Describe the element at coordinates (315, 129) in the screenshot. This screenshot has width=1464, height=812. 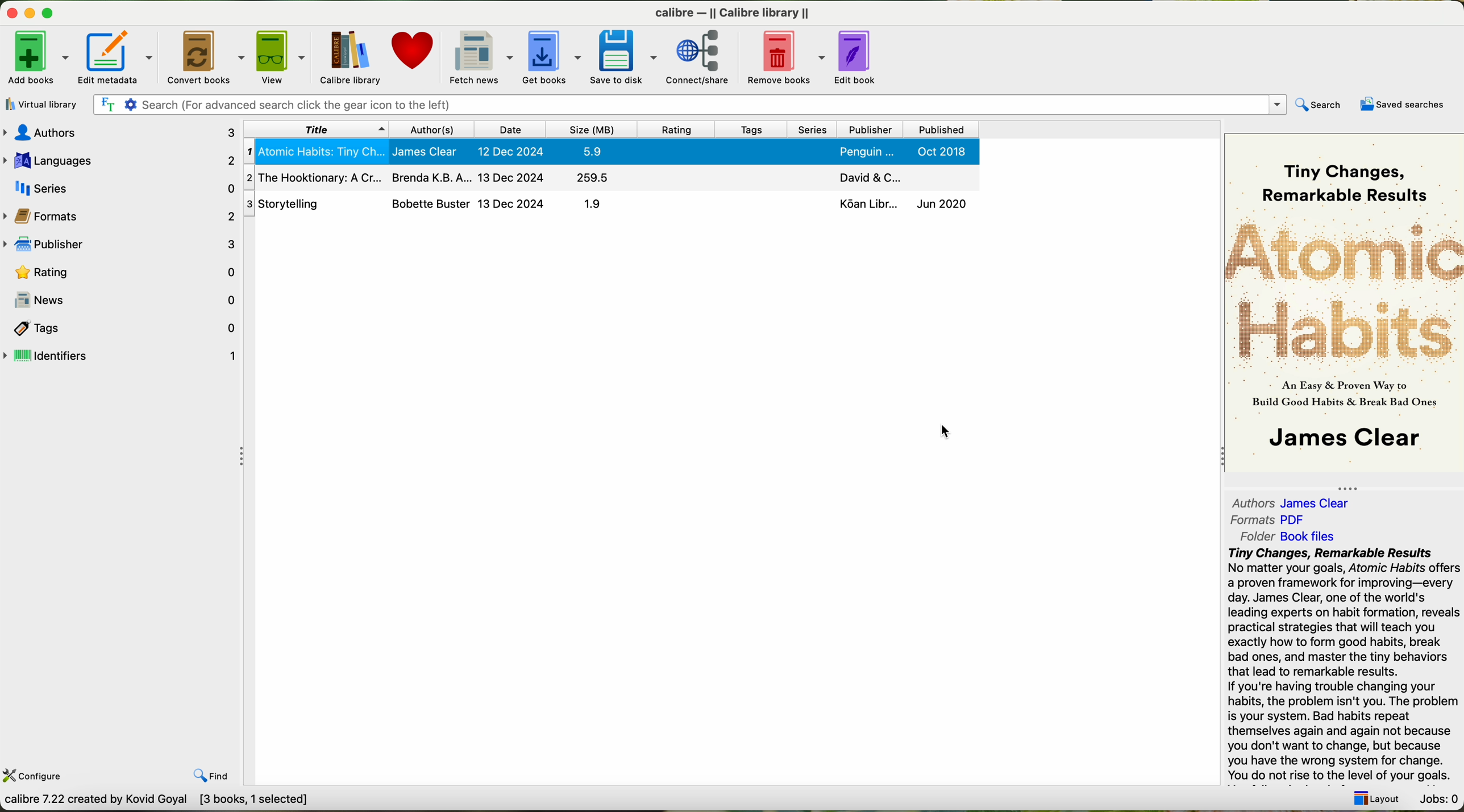
I see `title` at that location.